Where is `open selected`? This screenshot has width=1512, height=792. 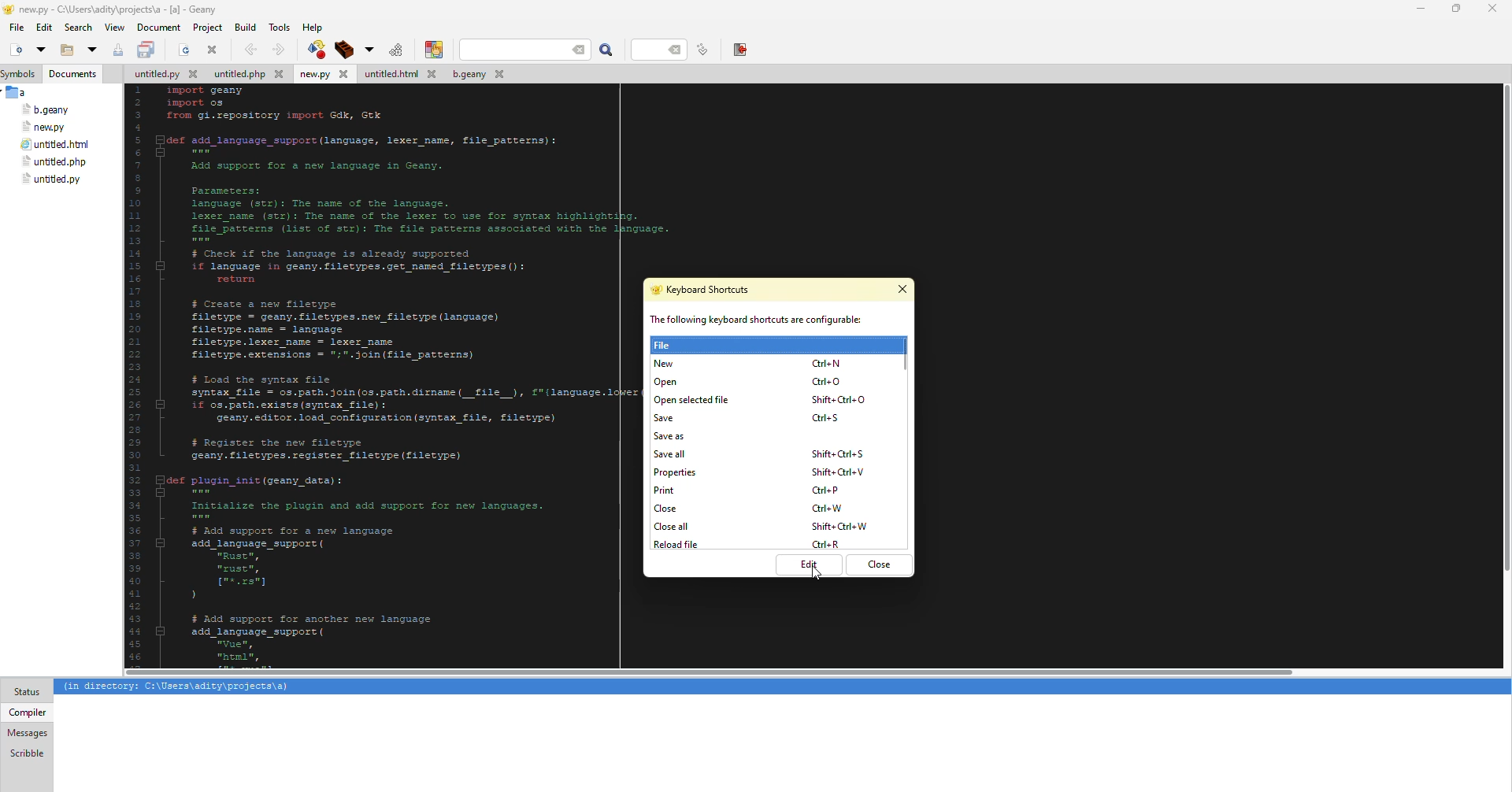
open selected is located at coordinates (698, 399).